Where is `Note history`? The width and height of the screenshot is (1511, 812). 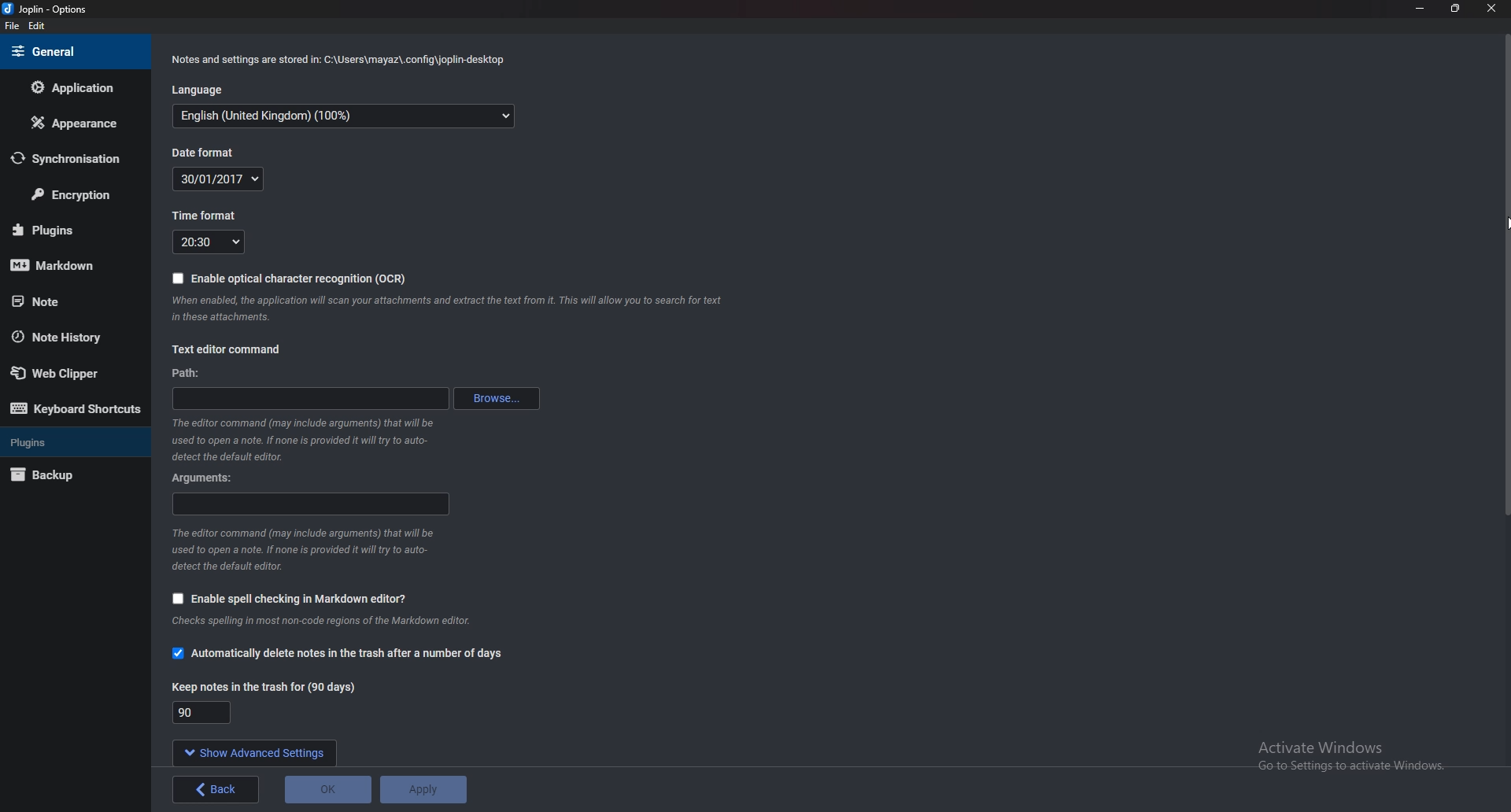 Note history is located at coordinates (65, 338).